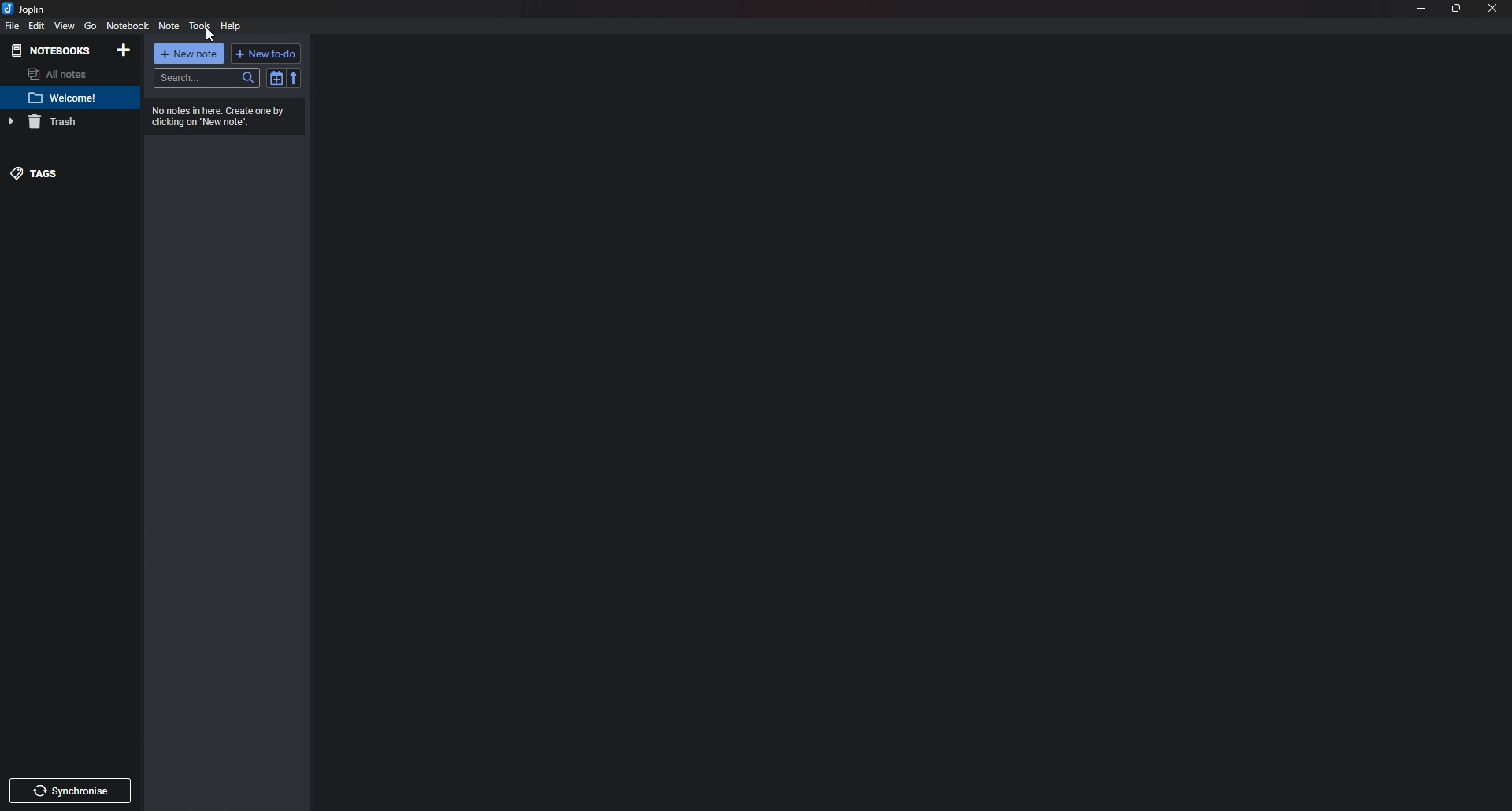 Image resolution: width=1512 pixels, height=811 pixels. Describe the element at coordinates (69, 98) in the screenshot. I see `note` at that location.